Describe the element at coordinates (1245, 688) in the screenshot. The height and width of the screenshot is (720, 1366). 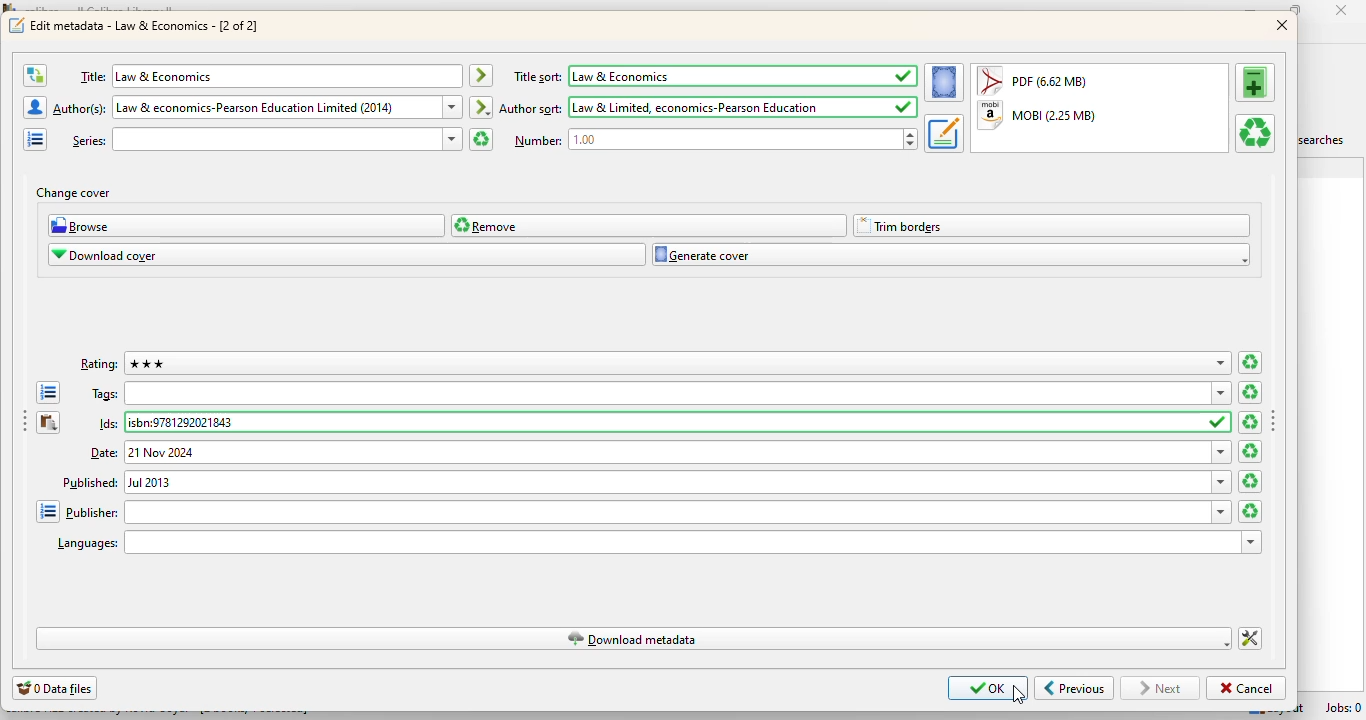
I see `cancel` at that location.